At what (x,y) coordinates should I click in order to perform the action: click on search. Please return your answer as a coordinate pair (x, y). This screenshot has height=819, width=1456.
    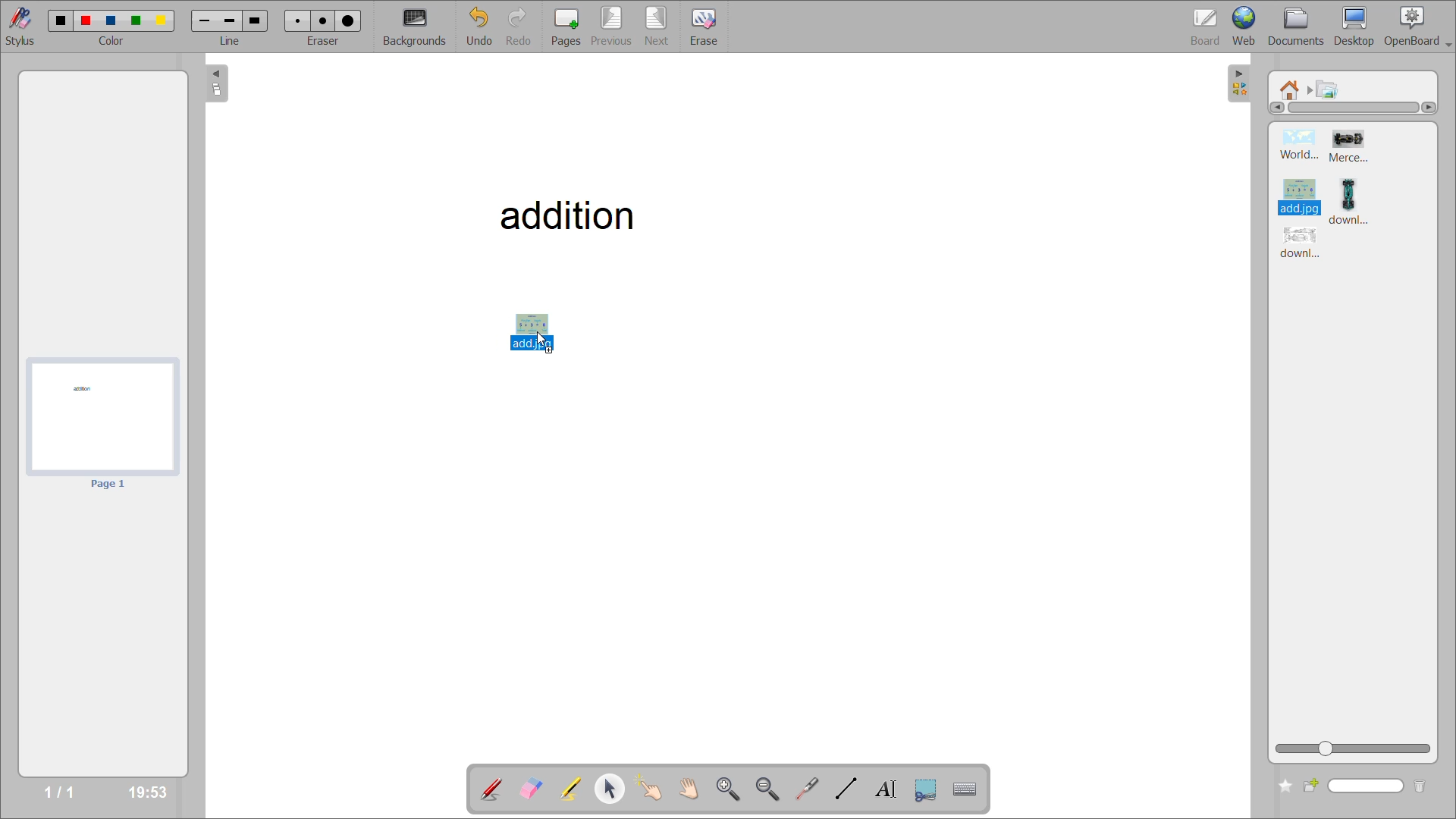
    Looking at the image, I should click on (1355, 787).